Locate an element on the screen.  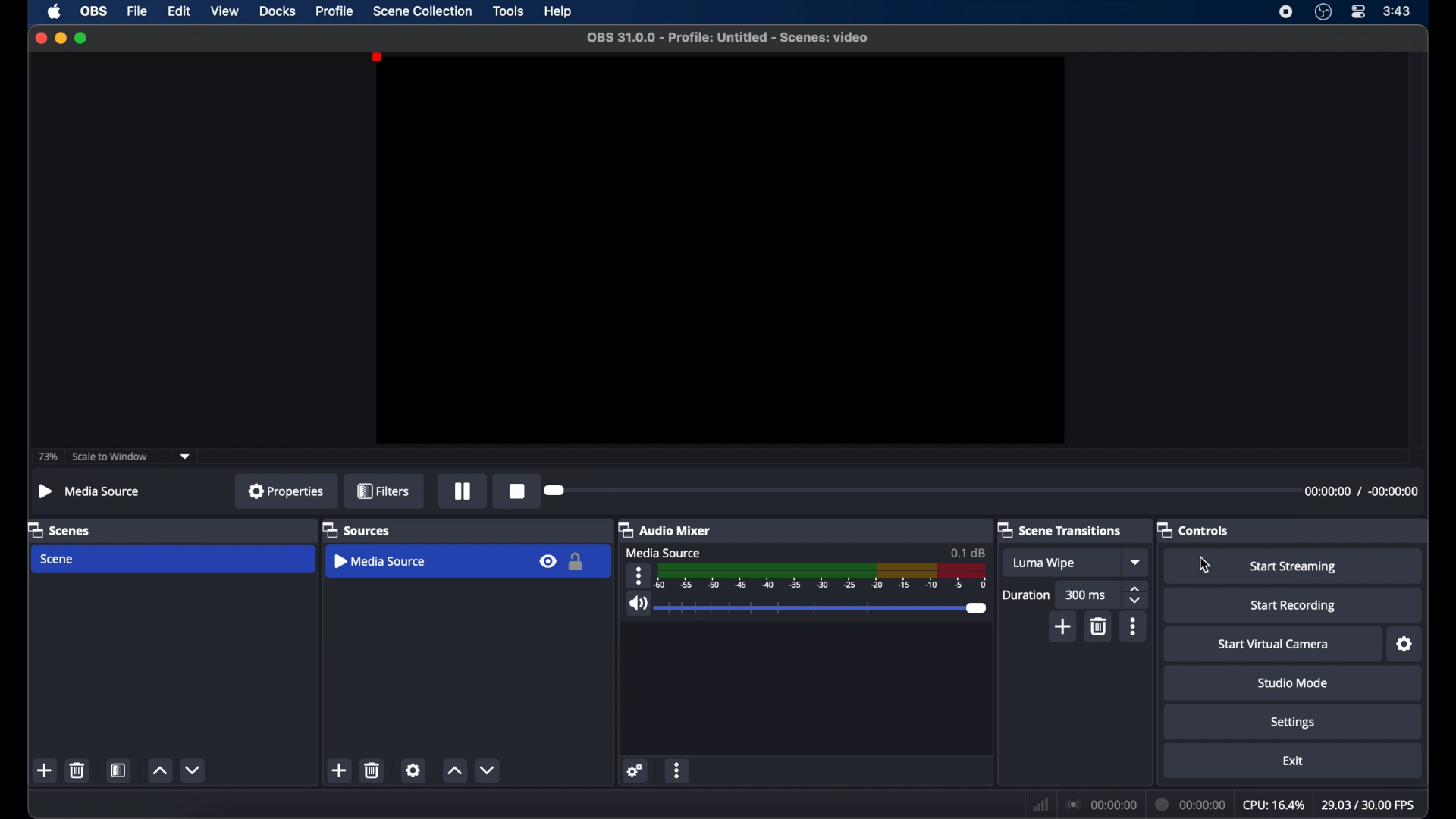
view is located at coordinates (224, 10).